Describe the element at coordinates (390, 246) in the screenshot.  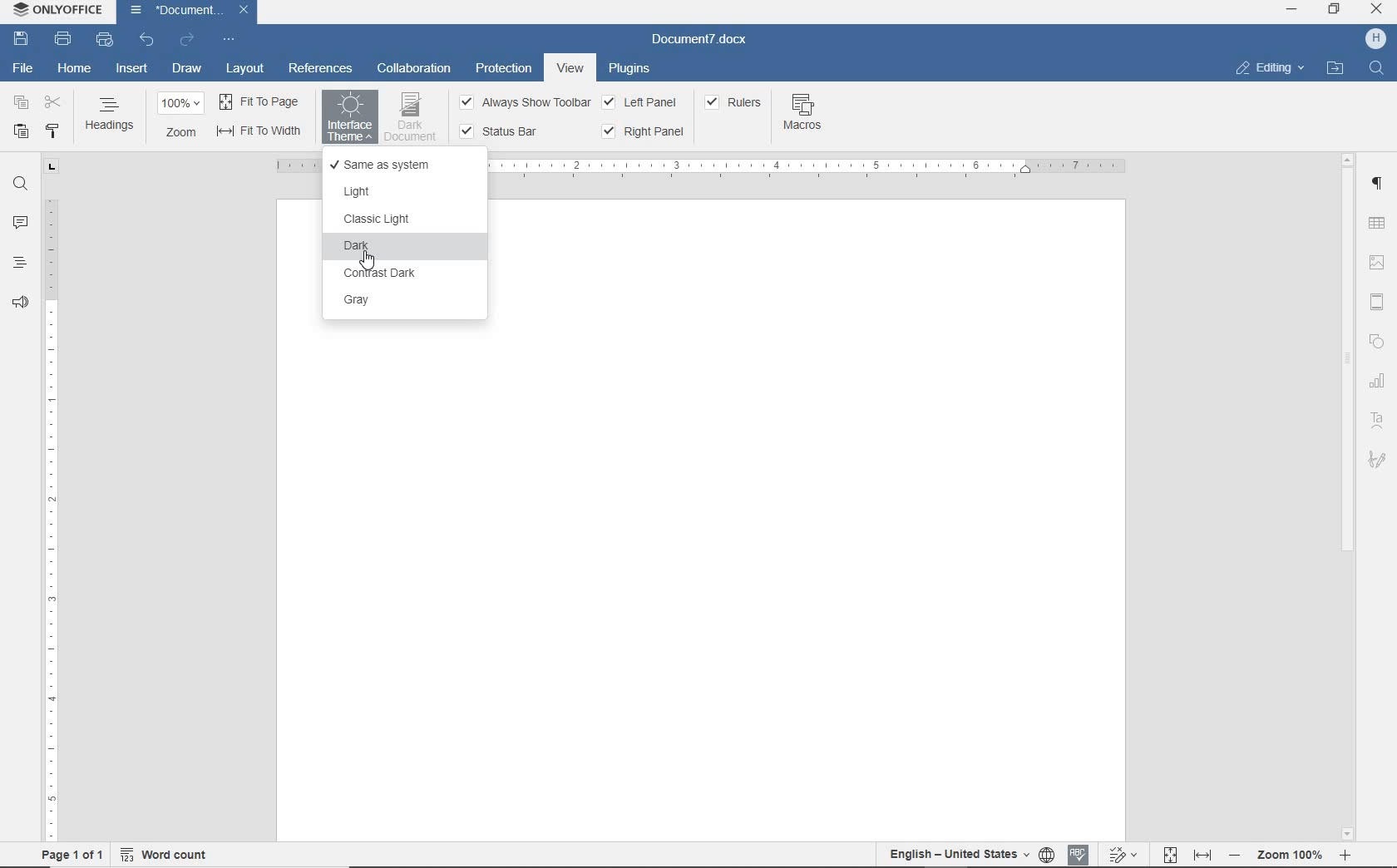
I see `DARK` at that location.